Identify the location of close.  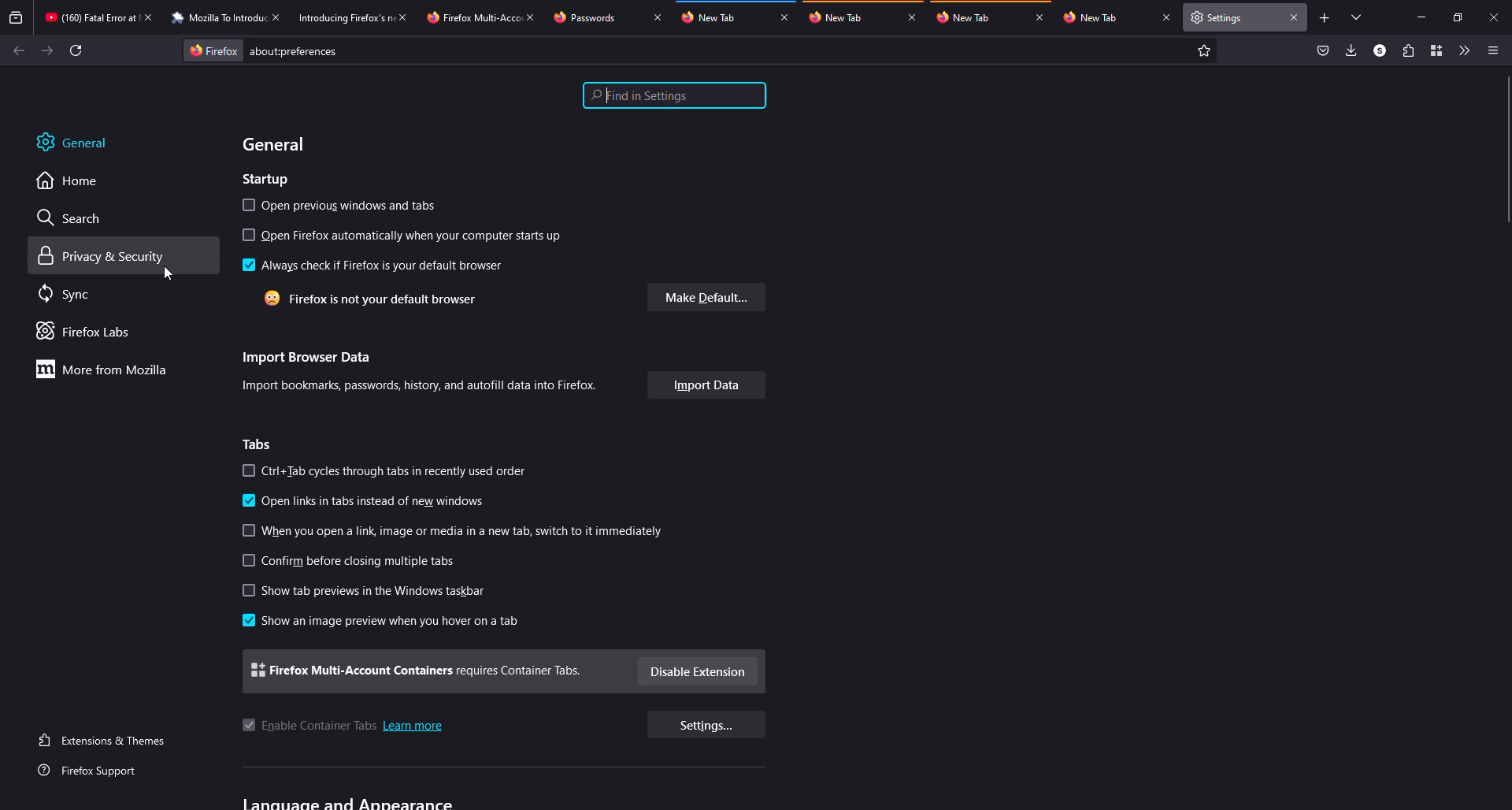
(534, 17).